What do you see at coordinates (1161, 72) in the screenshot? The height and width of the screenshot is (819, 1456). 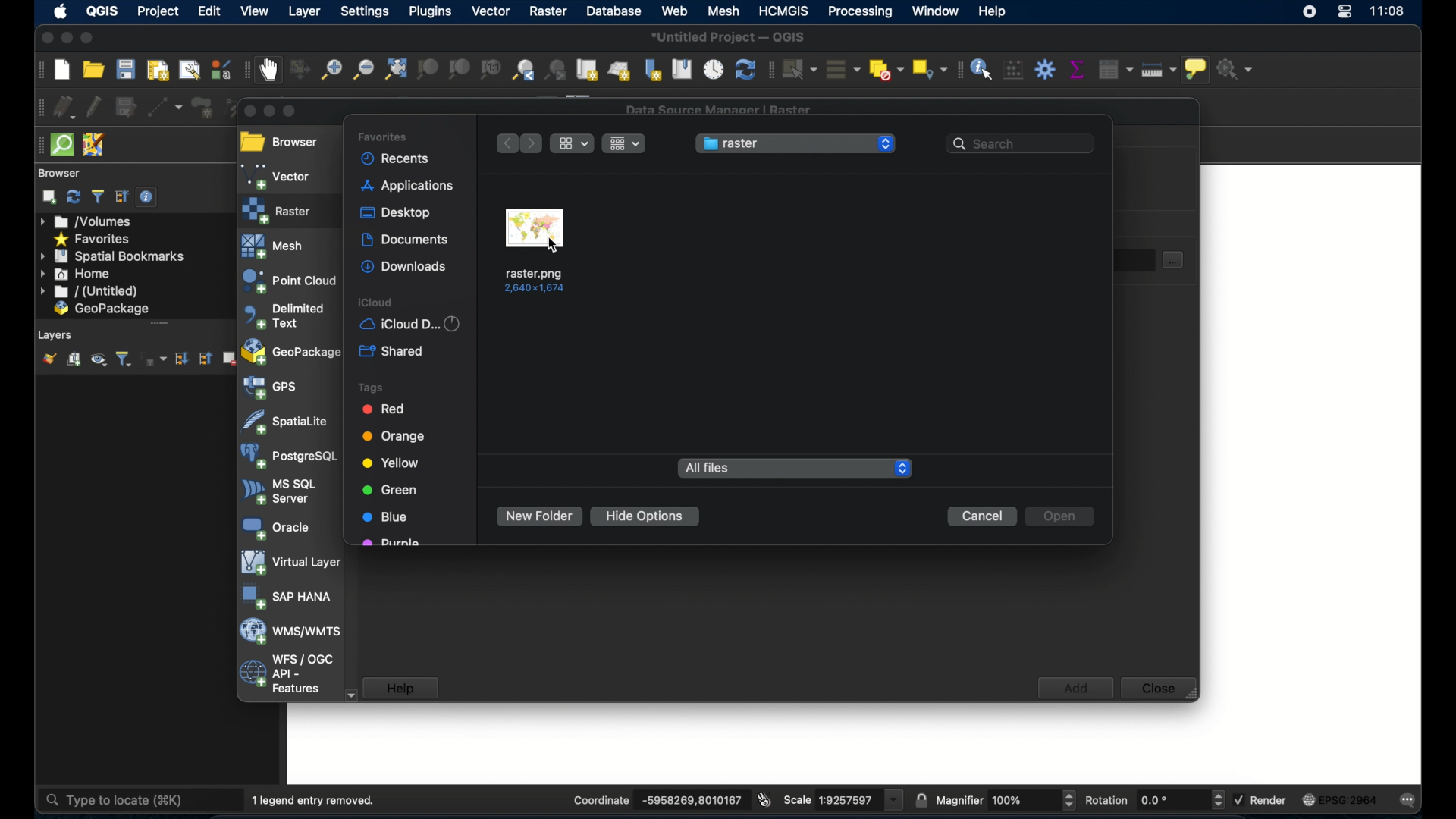 I see `measure line` at bounding box center [1161, 72].